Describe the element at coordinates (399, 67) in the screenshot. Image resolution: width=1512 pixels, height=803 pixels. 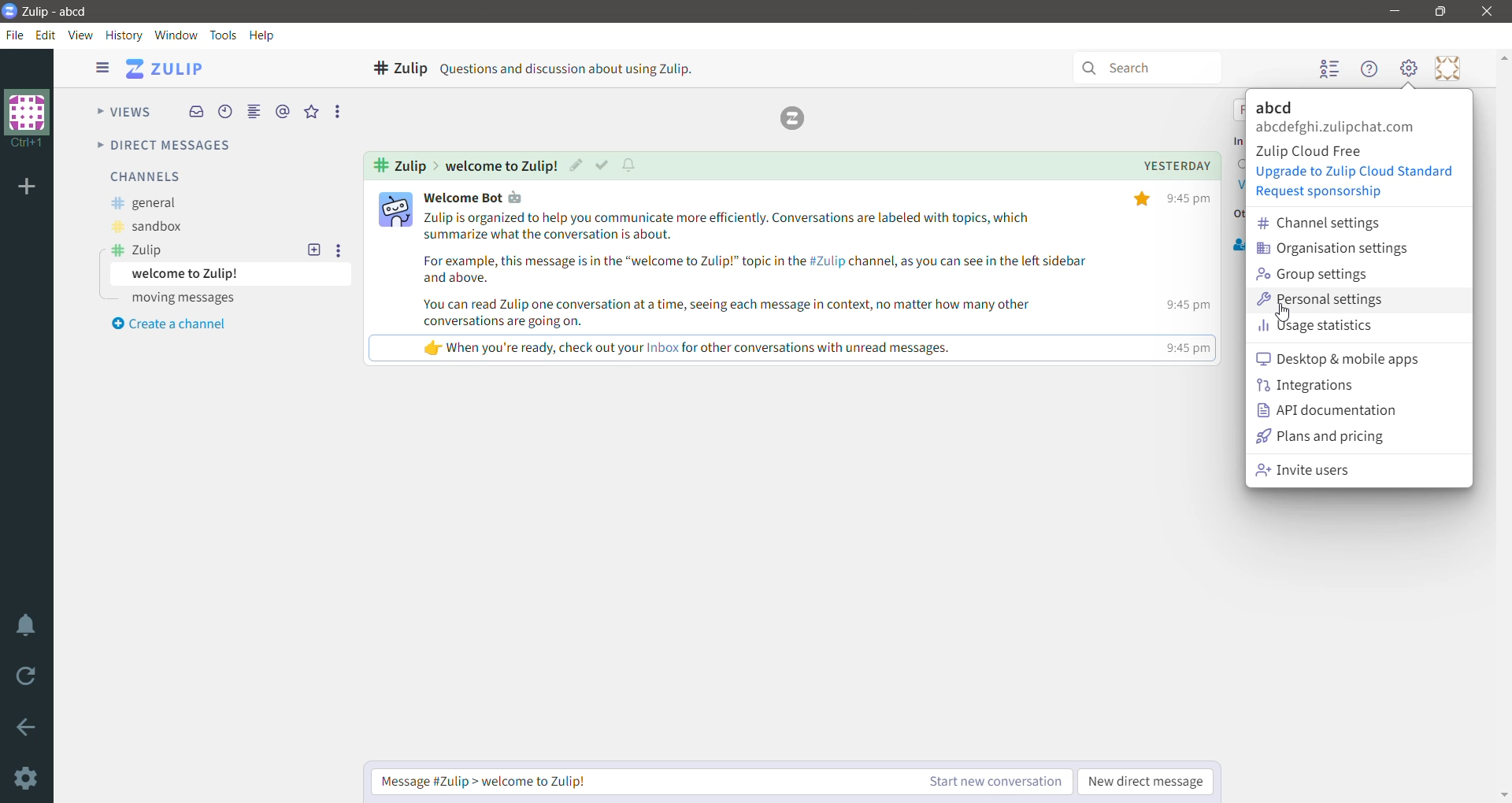
I see `Selected channel - Zulip` at that location.